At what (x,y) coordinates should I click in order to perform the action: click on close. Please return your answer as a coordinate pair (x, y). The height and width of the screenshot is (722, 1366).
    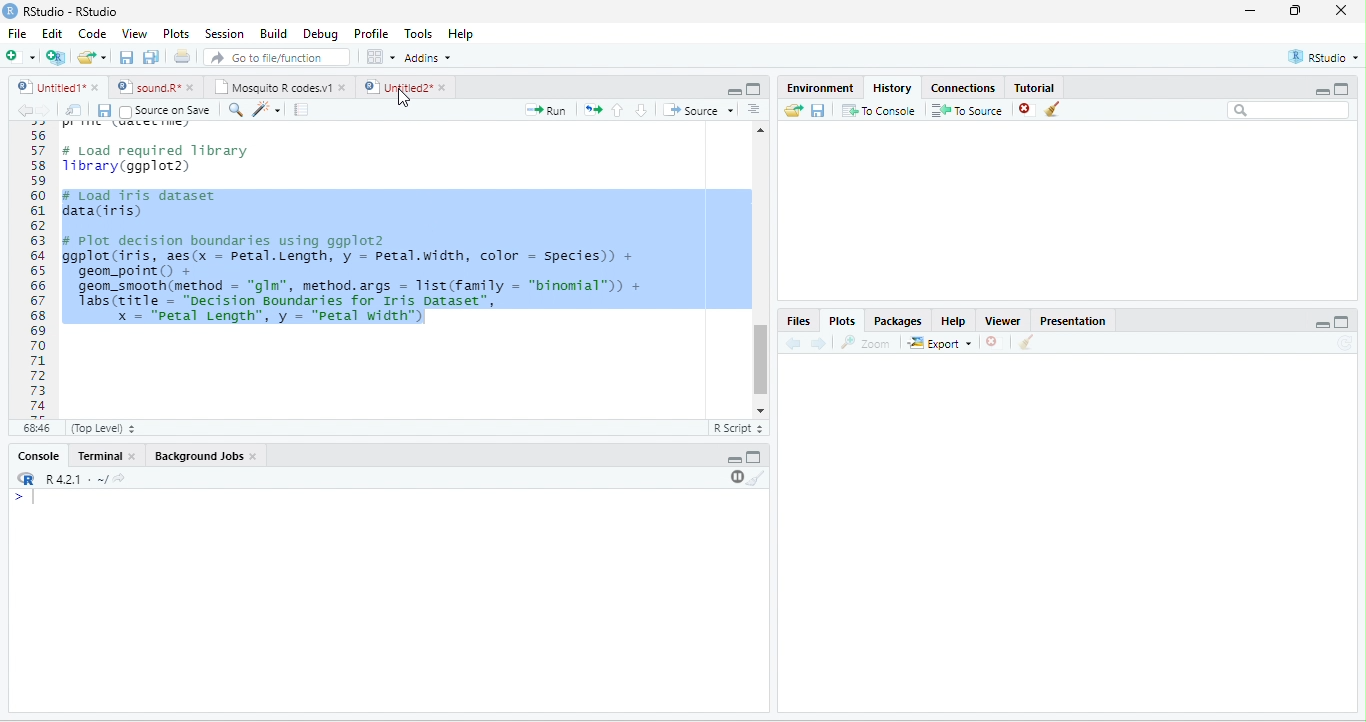
    Looking at the image, I should click on (134, 457).